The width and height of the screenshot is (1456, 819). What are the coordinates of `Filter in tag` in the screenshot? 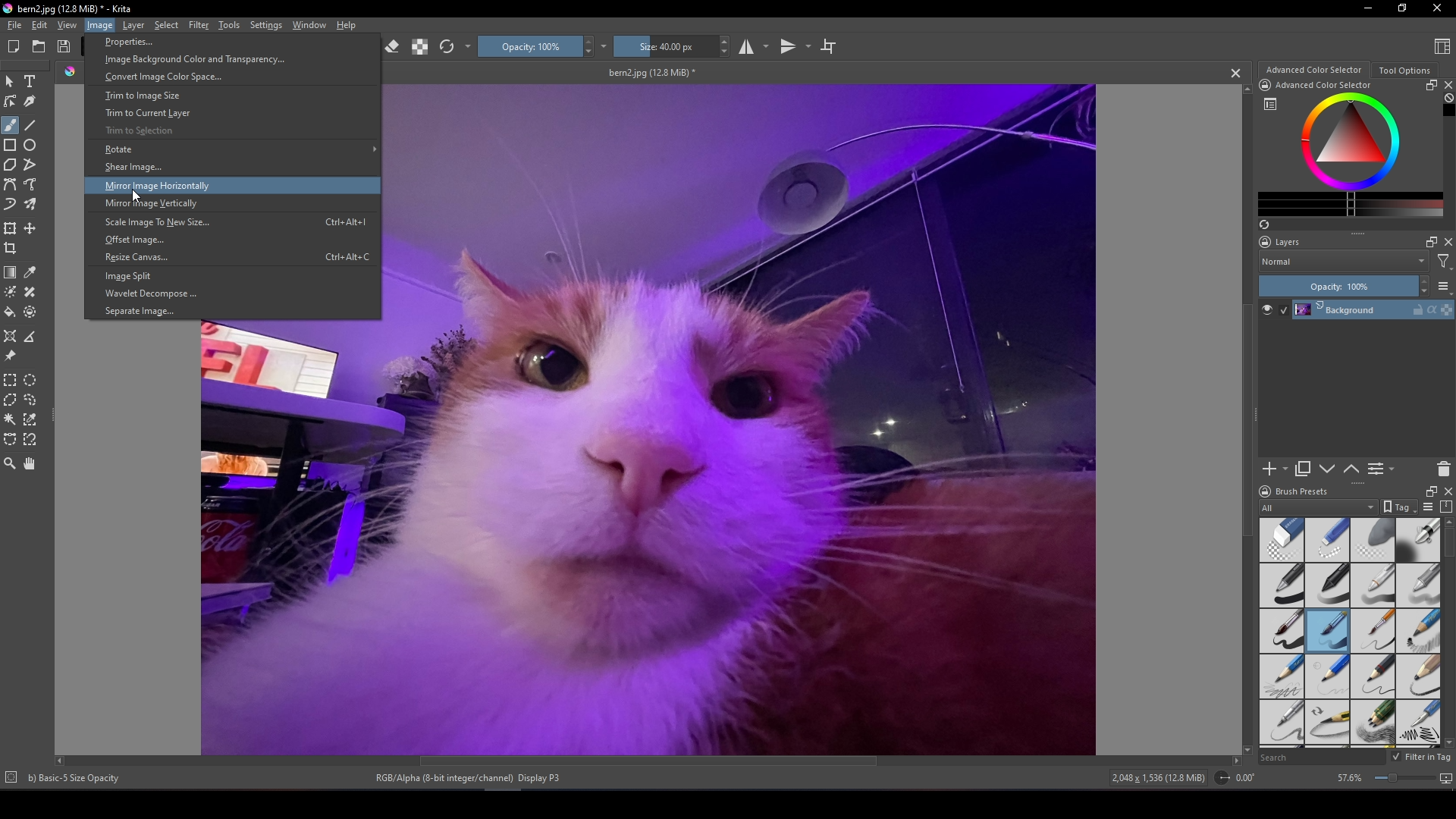 It's located at (1422, 758).